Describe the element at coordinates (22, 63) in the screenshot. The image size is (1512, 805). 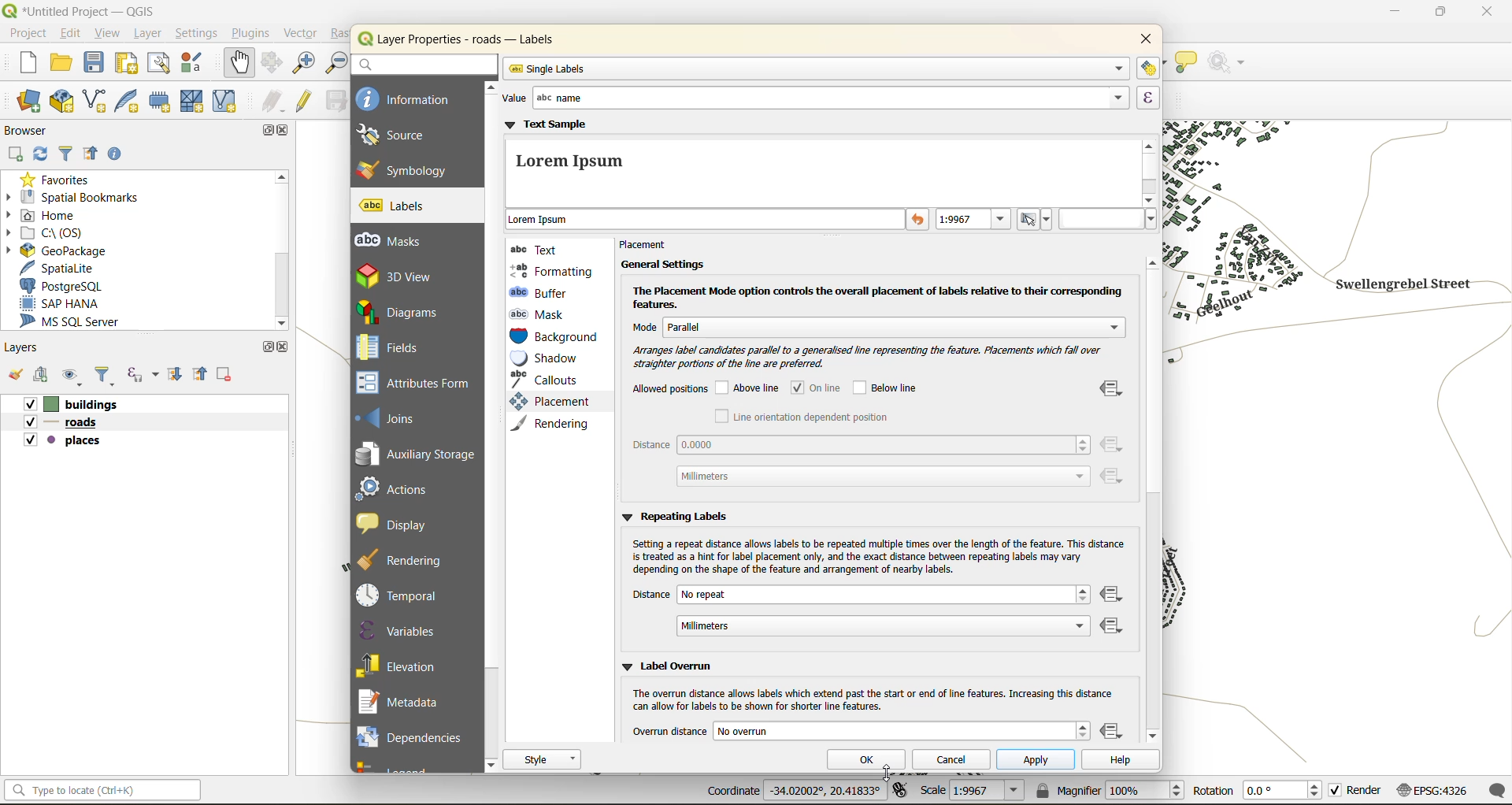
I see `new` at that location.